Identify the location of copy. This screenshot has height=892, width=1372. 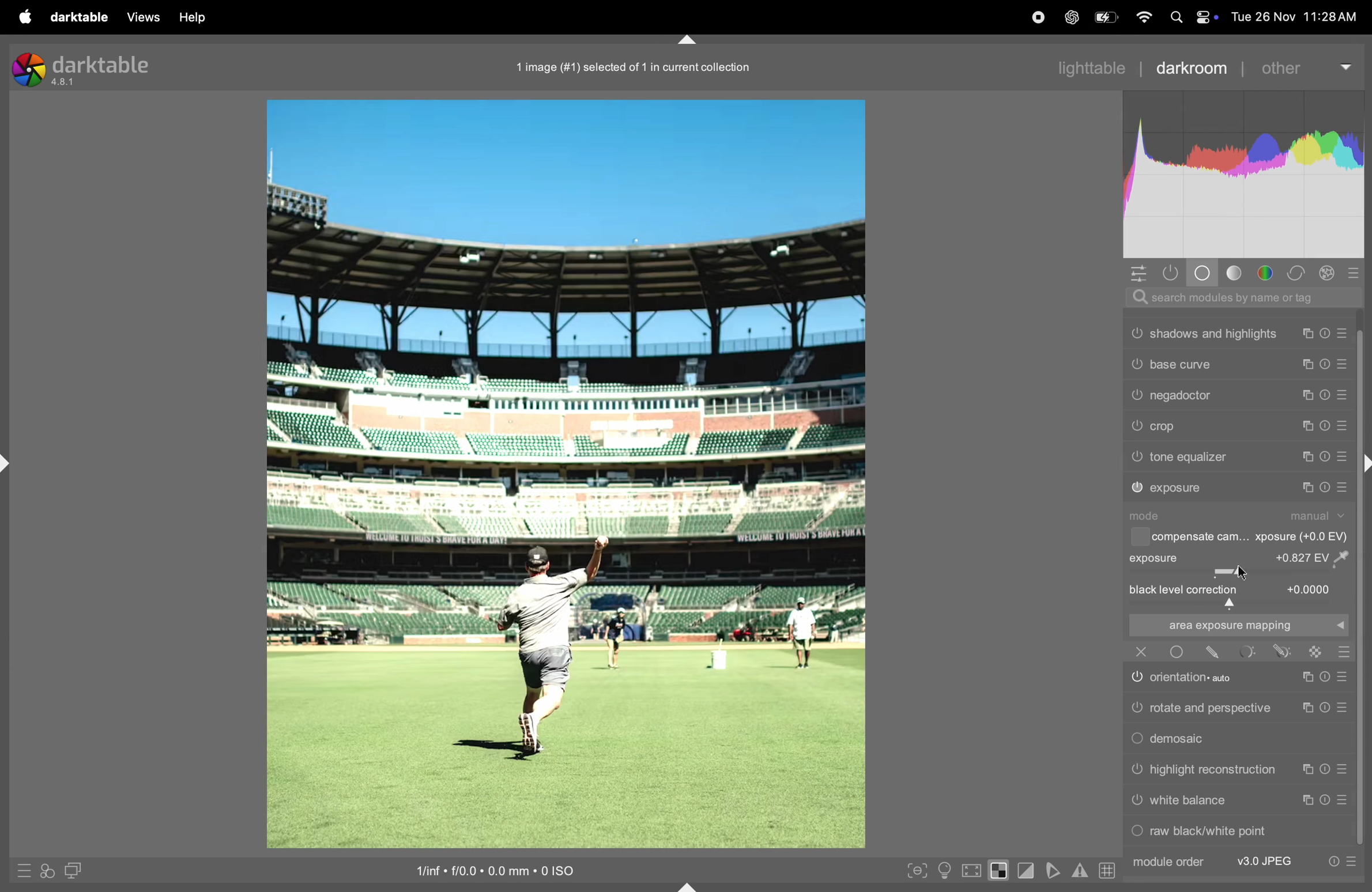
(1308, 365).